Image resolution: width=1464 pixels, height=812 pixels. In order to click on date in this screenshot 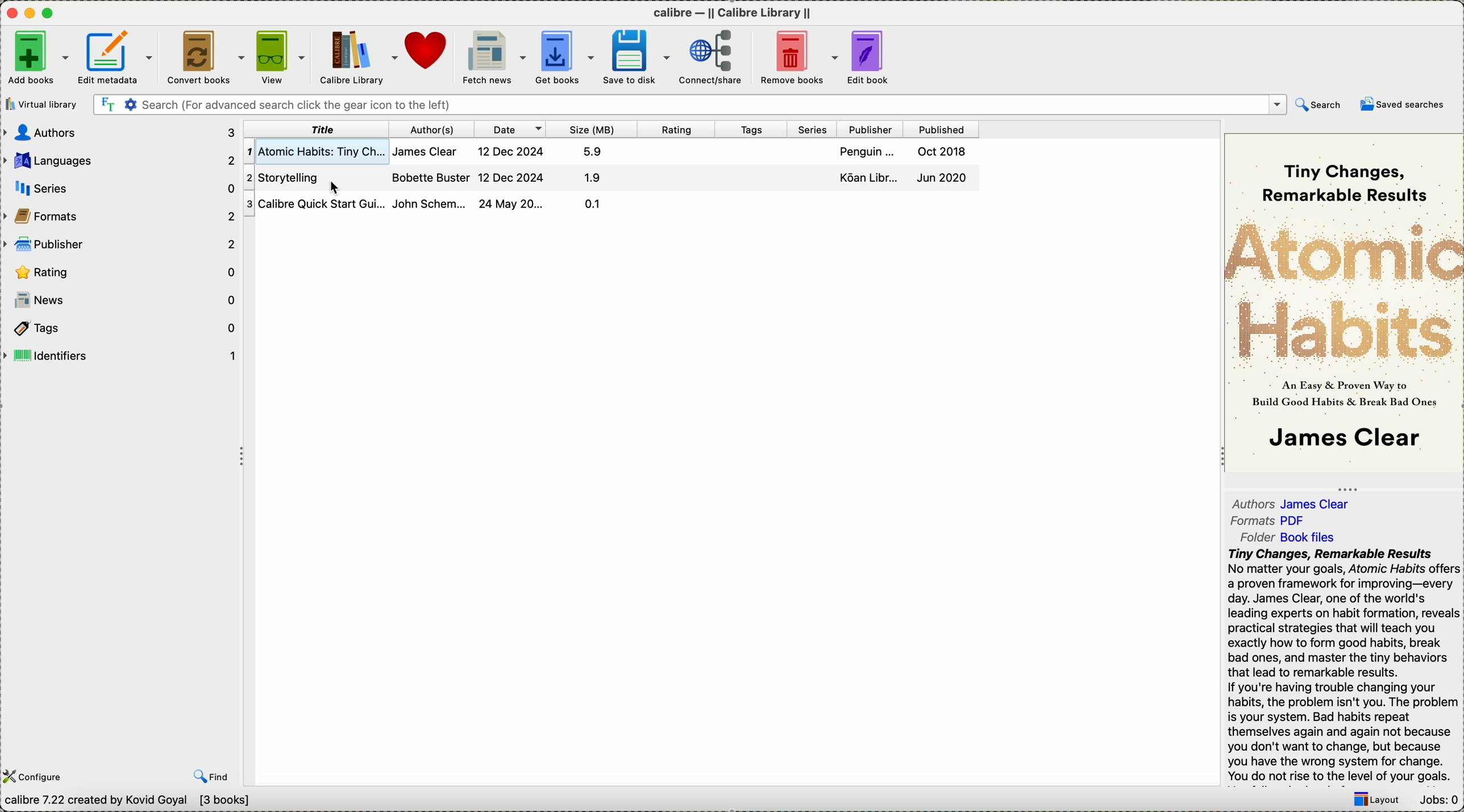, I will do `click(512, 130)`.